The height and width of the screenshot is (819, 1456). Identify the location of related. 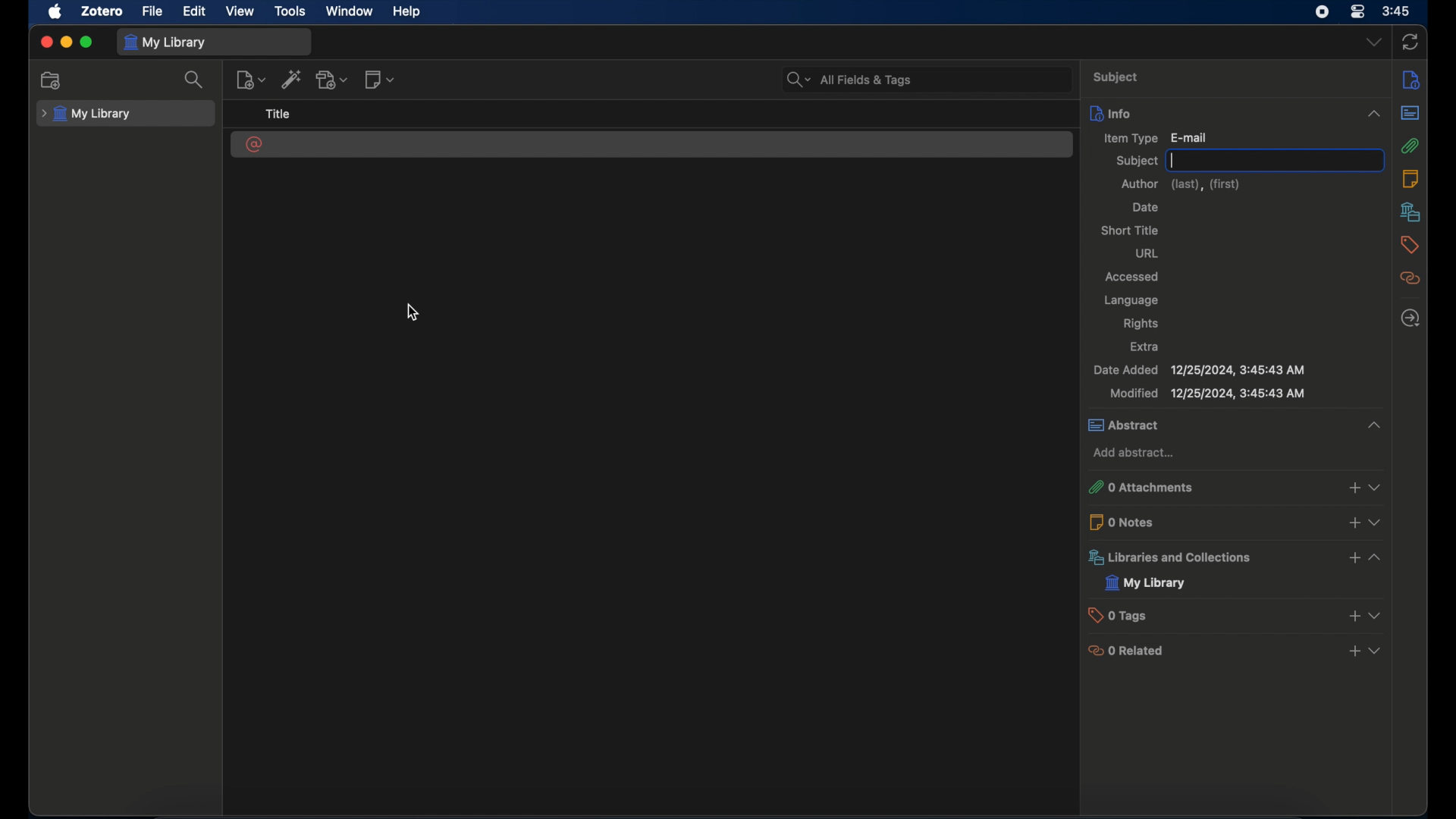
(1411, 278).